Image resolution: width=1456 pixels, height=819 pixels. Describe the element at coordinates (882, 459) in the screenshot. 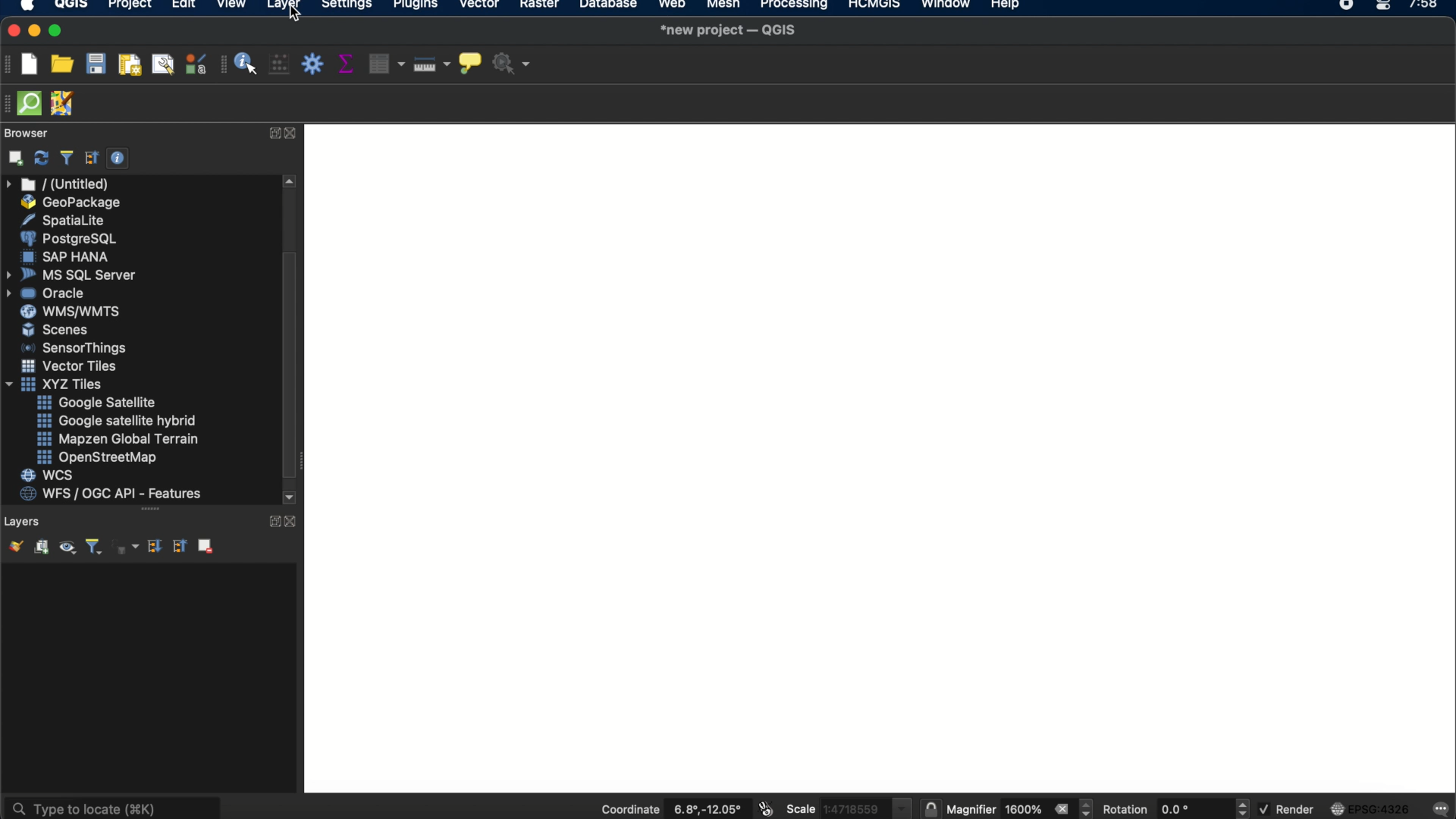

I see `Workspace` at that location.